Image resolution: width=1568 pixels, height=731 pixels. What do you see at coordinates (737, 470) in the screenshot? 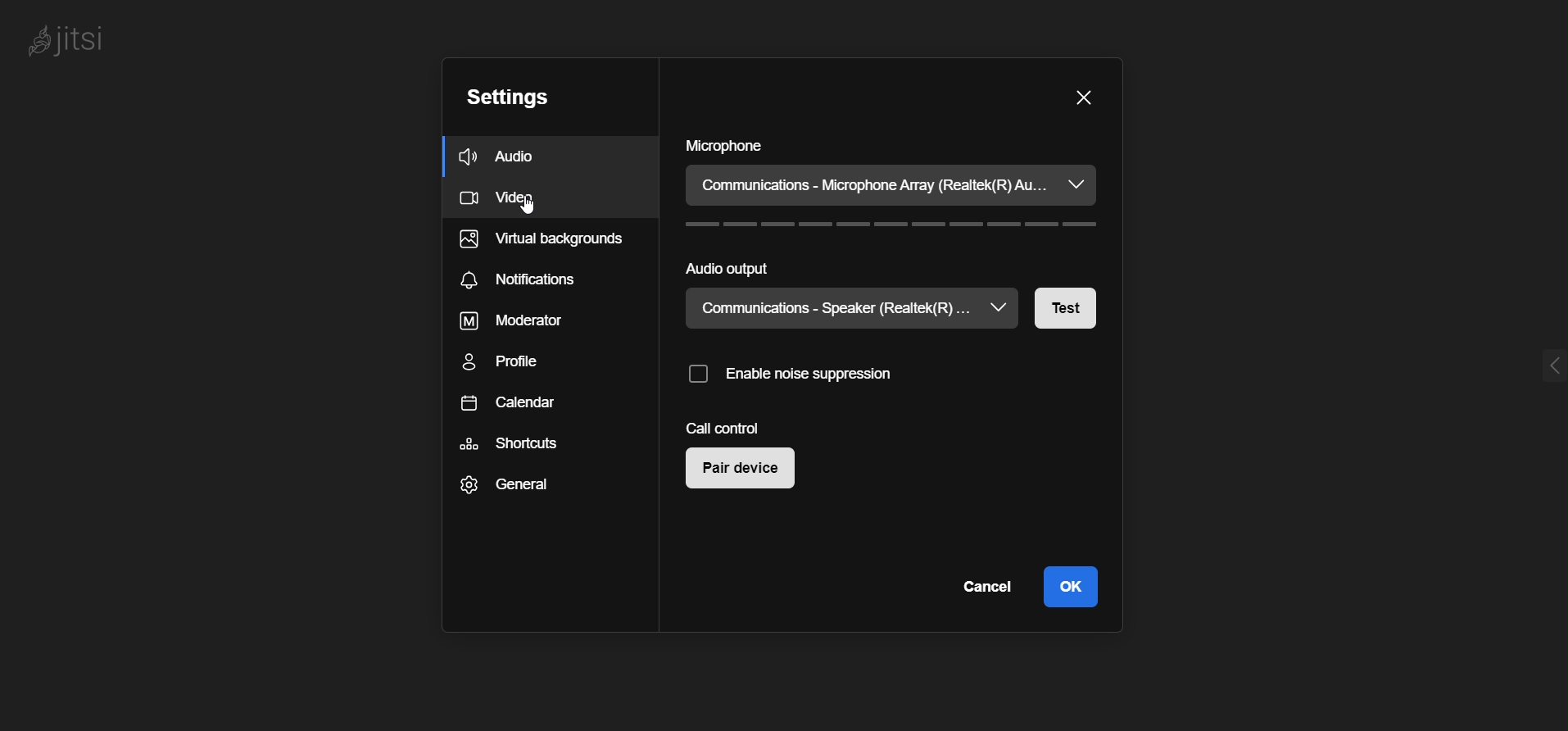
I see `pair device` at bounding box center [737, 470].